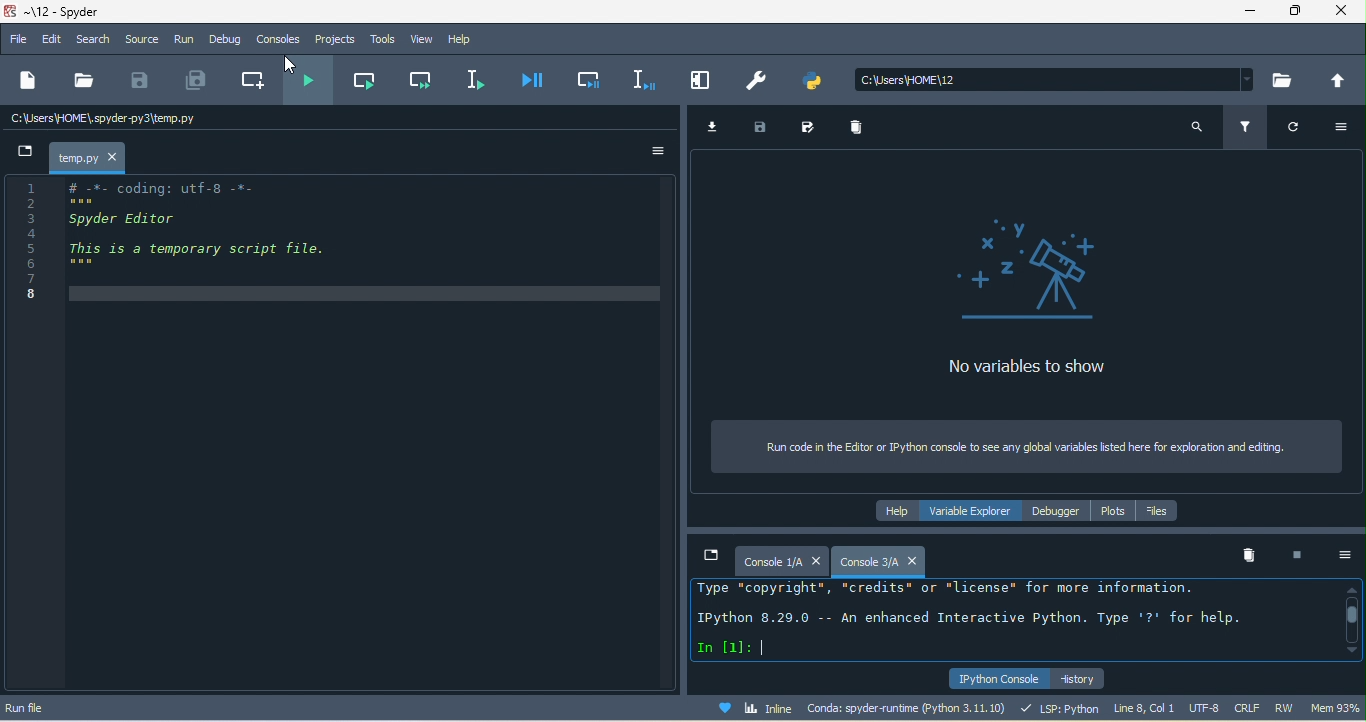  I want to click on mem92%, so click(1333, 709).